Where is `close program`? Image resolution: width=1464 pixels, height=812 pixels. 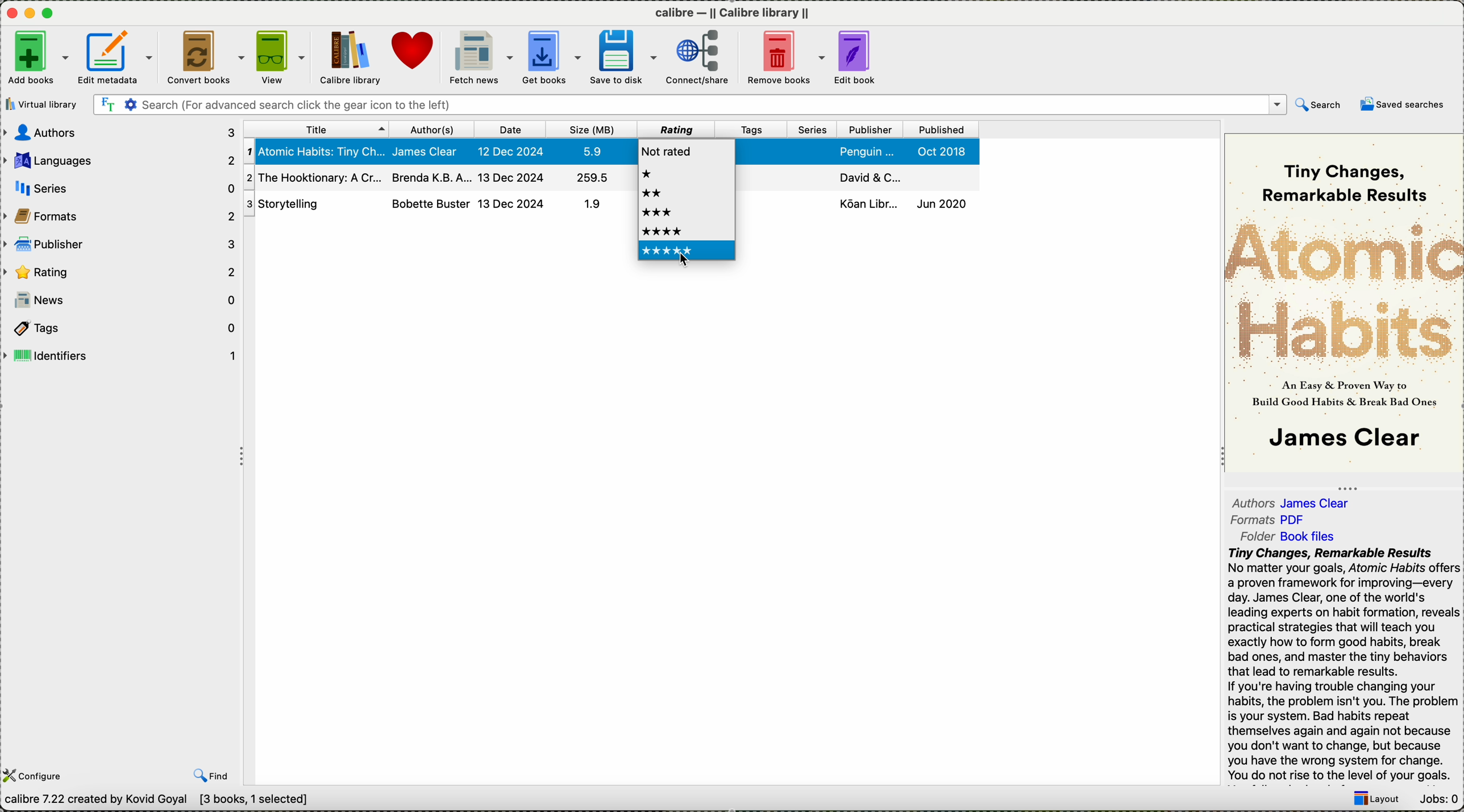
close program is located at coordinates (10, 12).